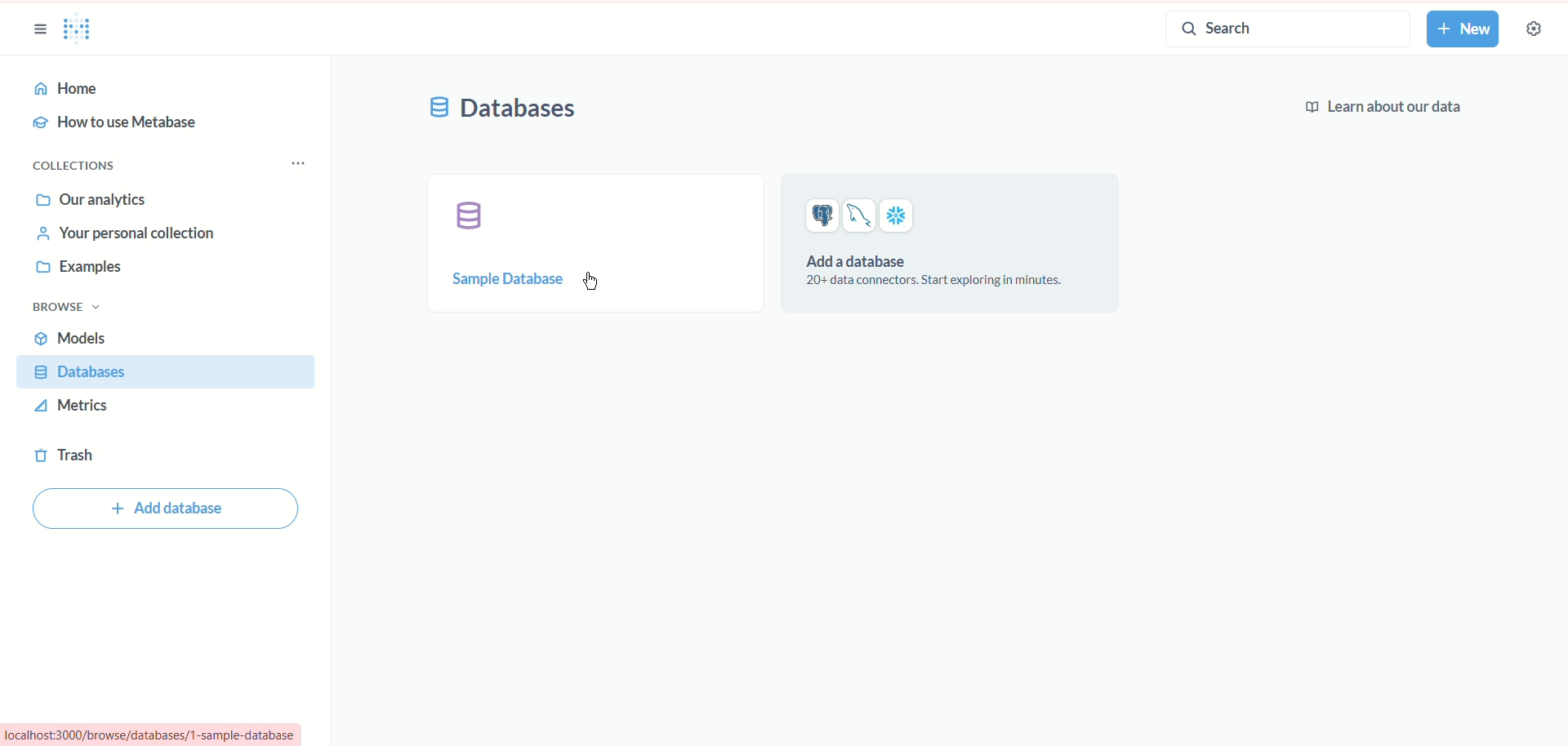 The height and width of the screenshot is (746, 1568). Describe the element at coordinates (950, 242) in the screenshot. I see `add a database` at that location.